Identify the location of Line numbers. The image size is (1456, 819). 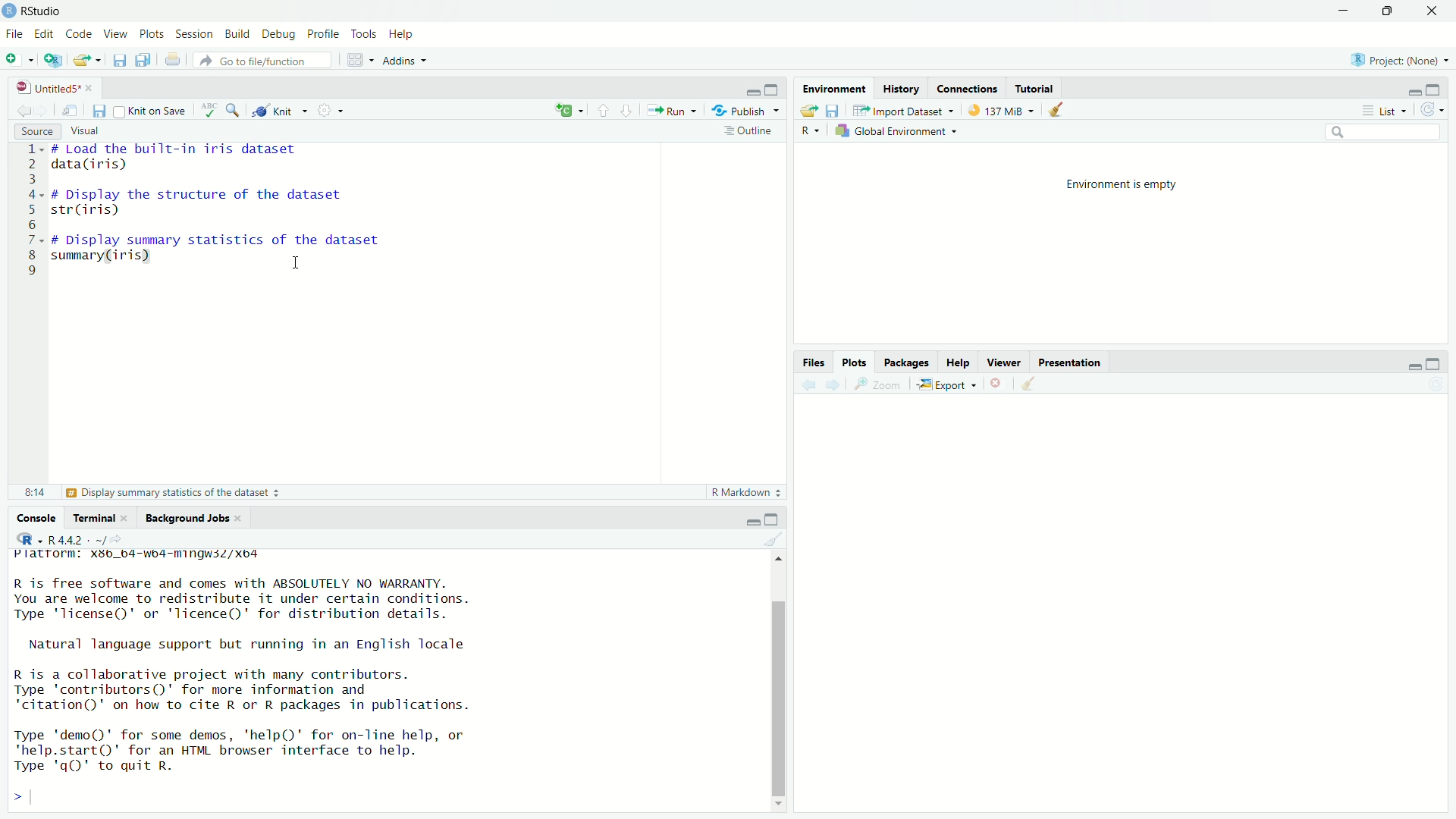
(31, 213).